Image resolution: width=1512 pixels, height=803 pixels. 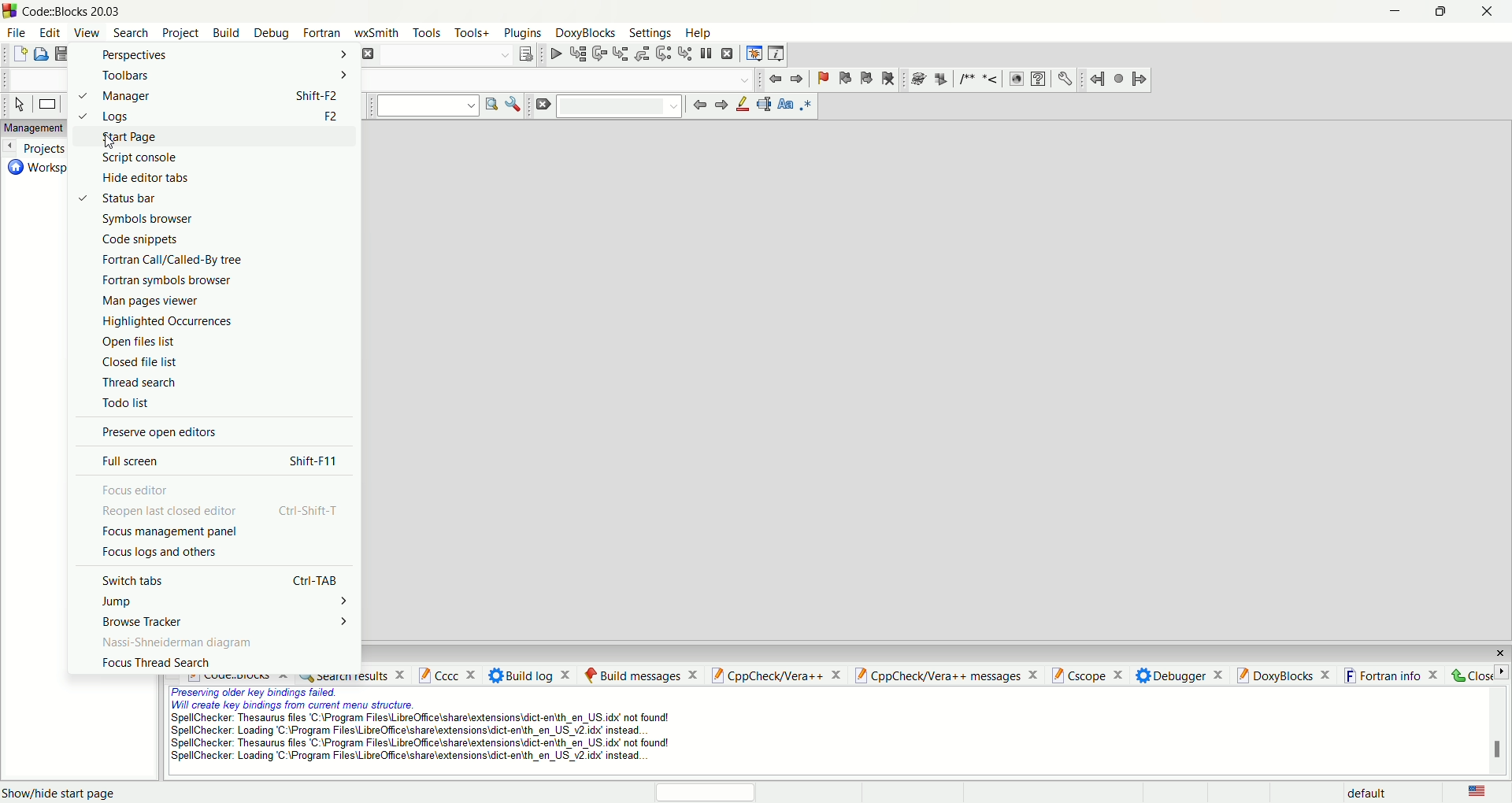 I want to click on toggle bookmark, so click(x=821, y=76).